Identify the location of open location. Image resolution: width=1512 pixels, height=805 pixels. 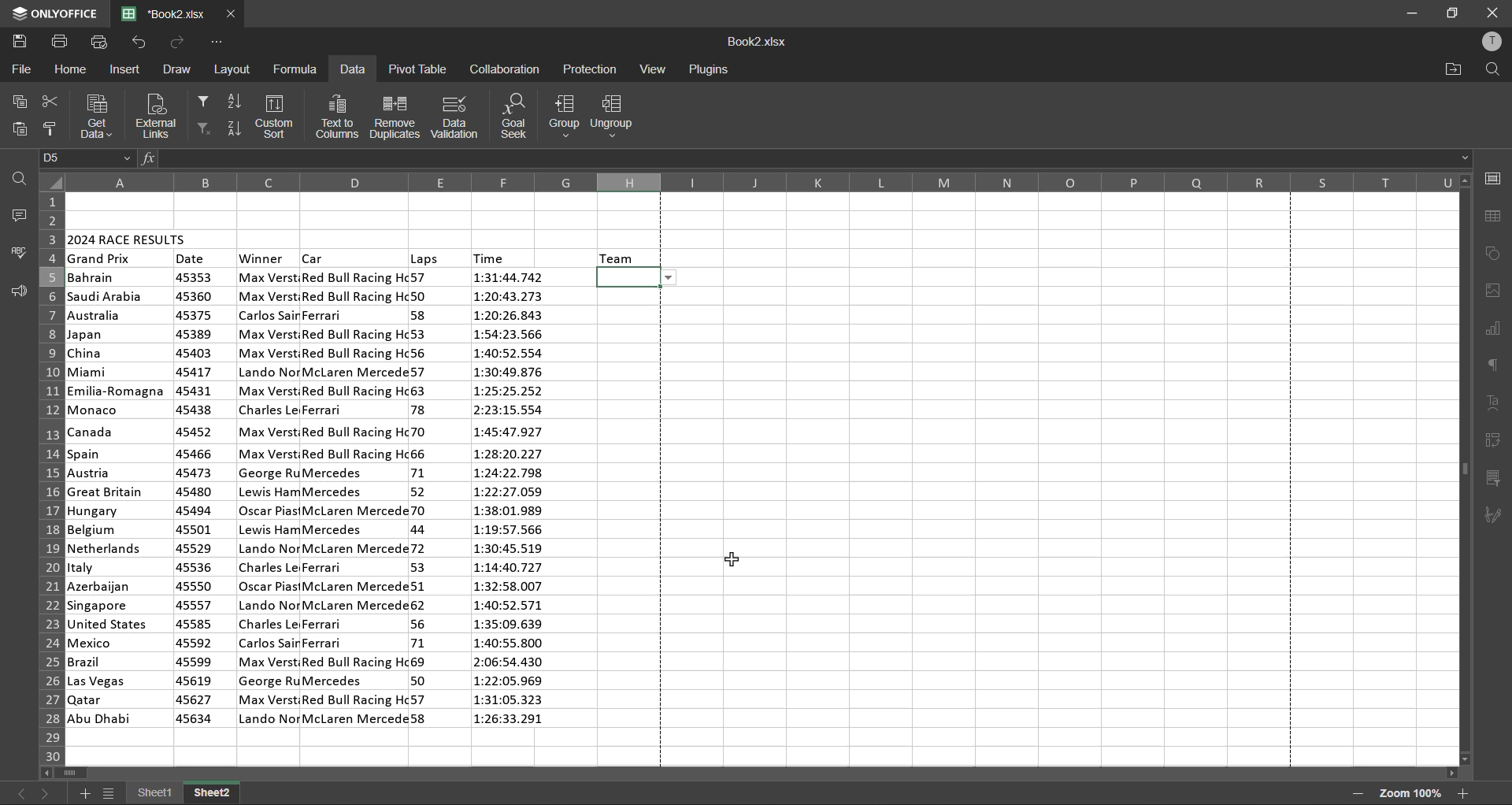
(1454, 69).